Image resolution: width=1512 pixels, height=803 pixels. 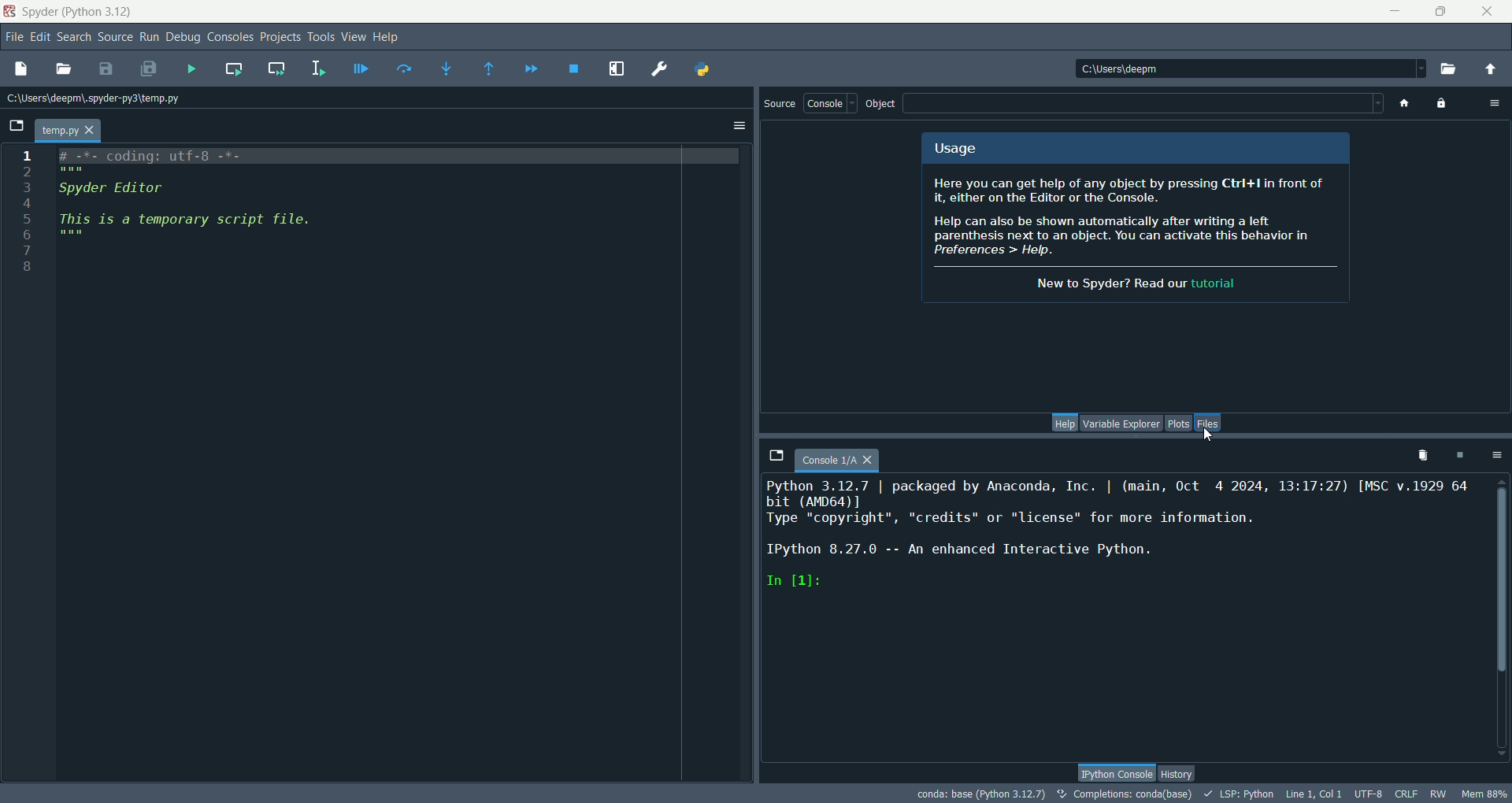 What do you see at coordinates (1438, 794) in the screenshot?
I see `RW` at bounding box center [1438, 794].